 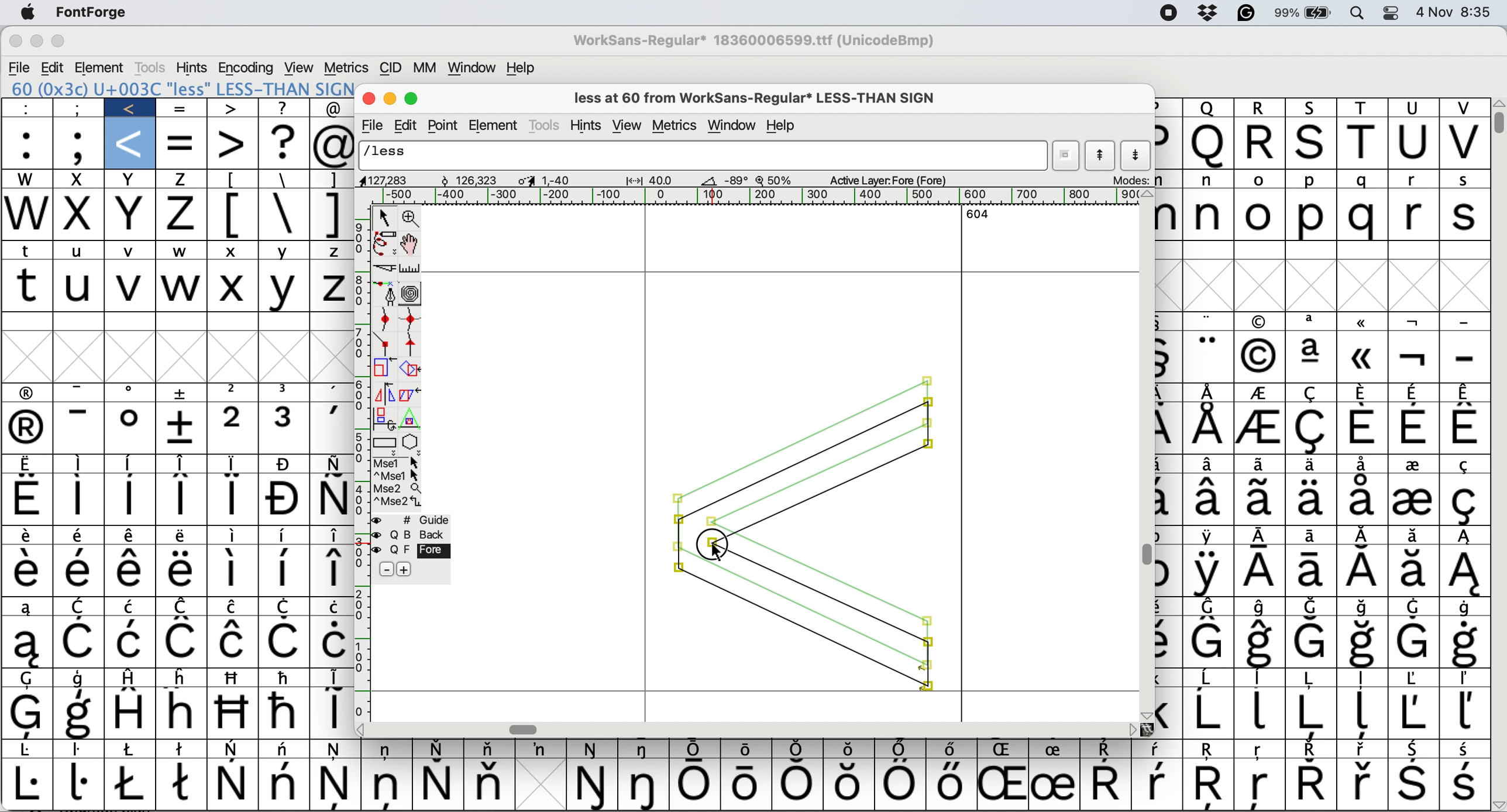 I want to click on Symbol, so click(x=1002, y=785).